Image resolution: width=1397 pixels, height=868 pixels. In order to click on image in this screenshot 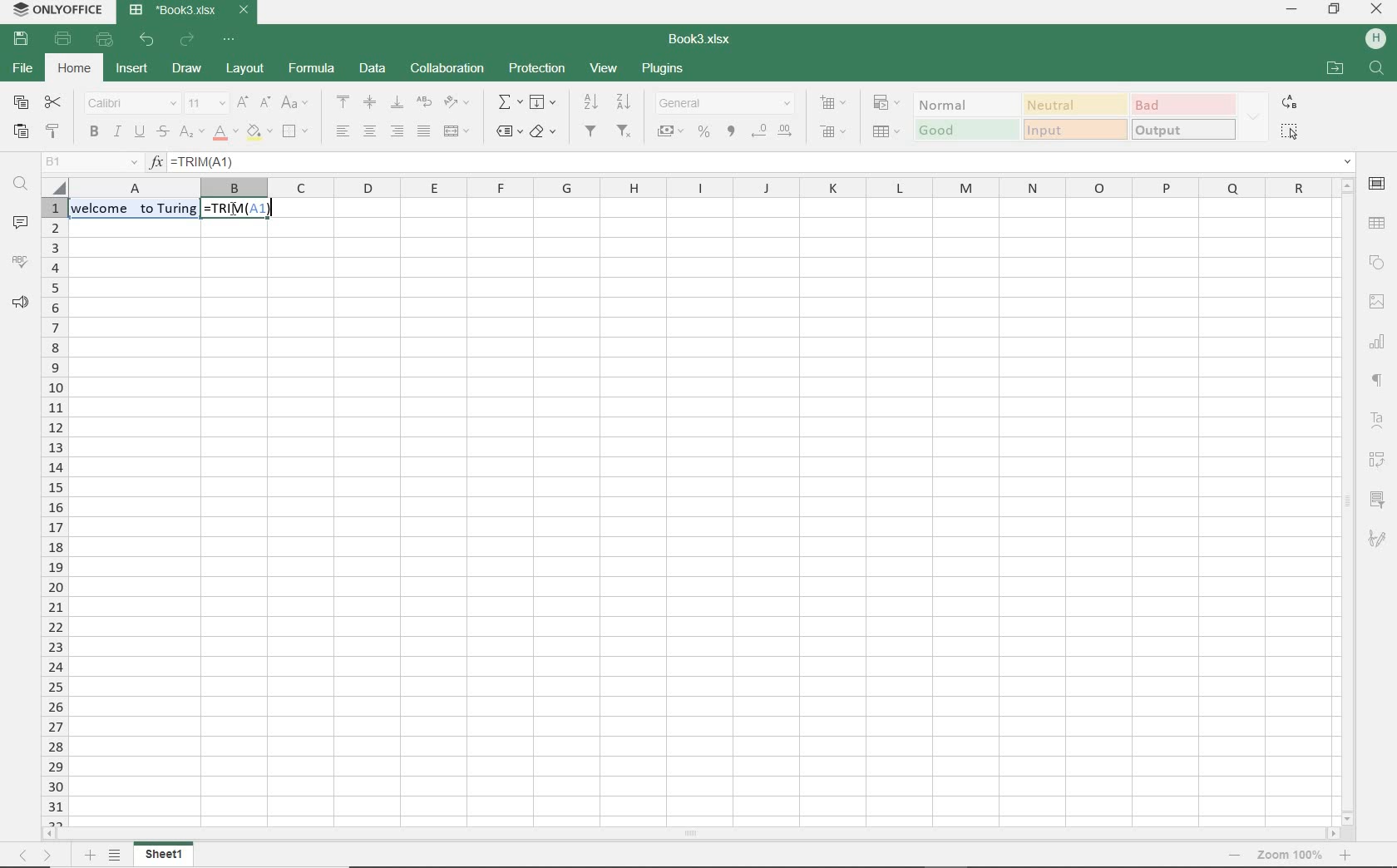, I will do `click(1378, 304)`.